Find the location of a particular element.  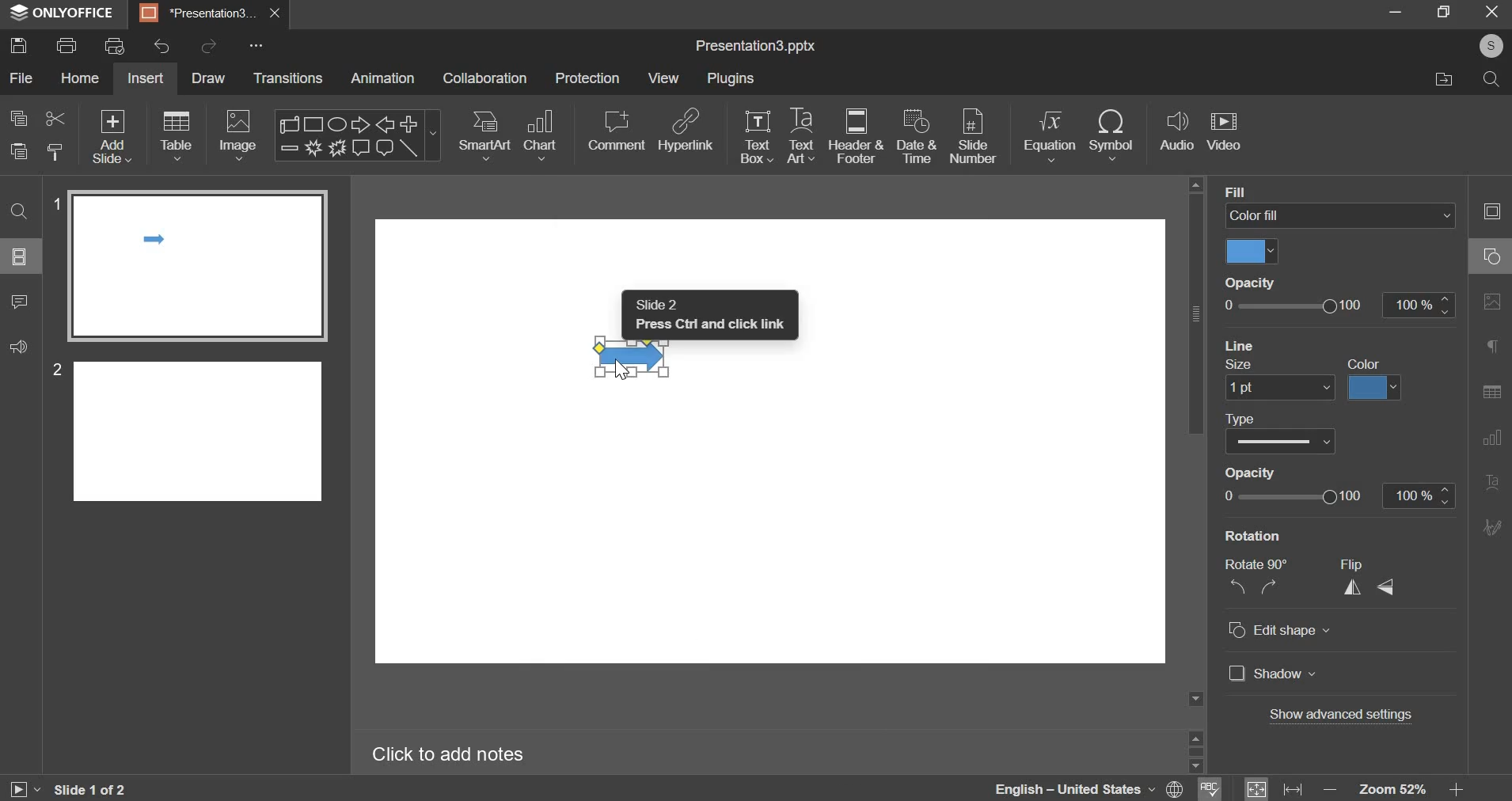

hyperlink is located at coordinates (687, 129).